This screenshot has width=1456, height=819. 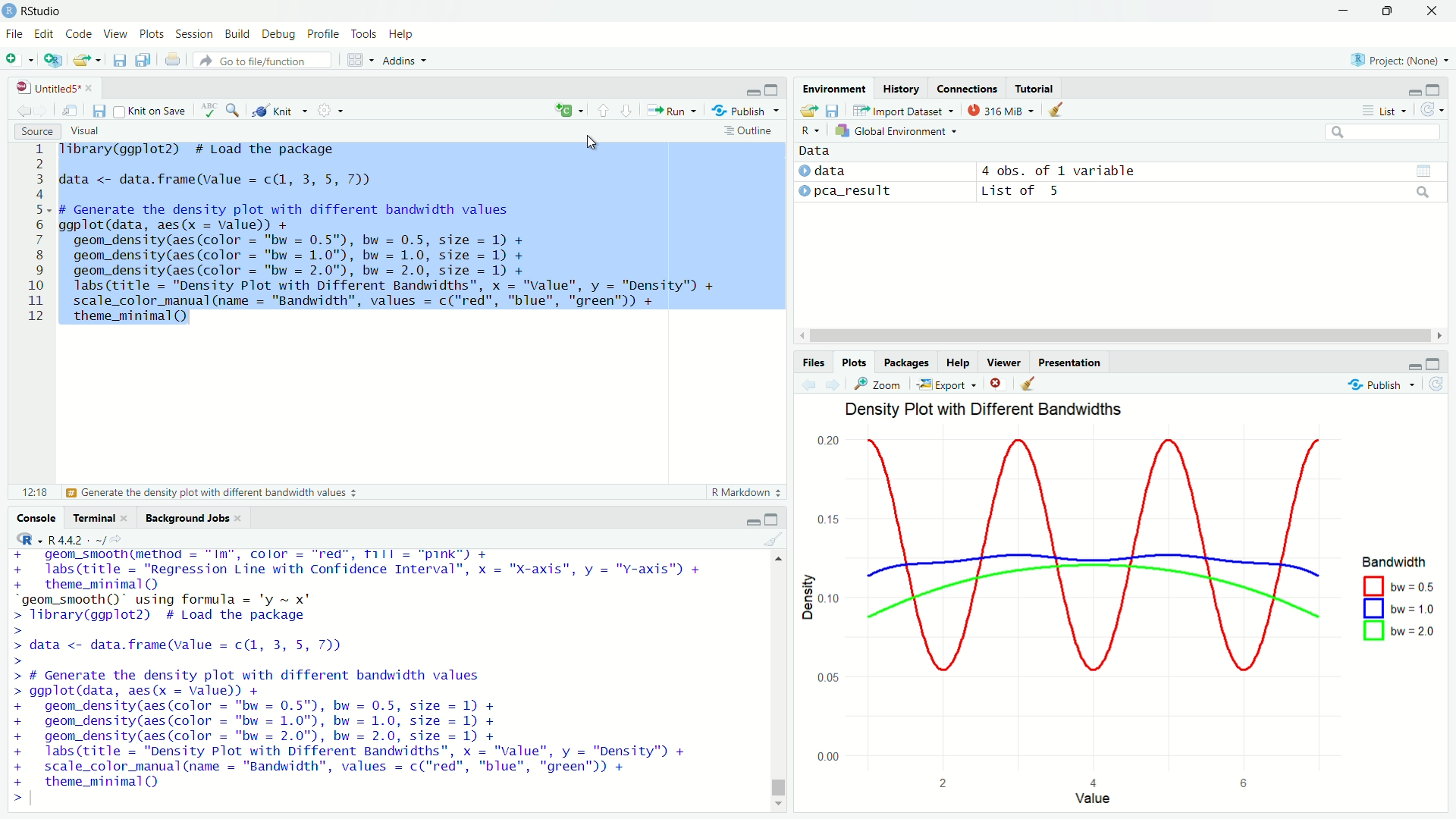 What do you see at coordinates (830, 170) in the screenshot?
I see `data` at bounding box center [830, 170].